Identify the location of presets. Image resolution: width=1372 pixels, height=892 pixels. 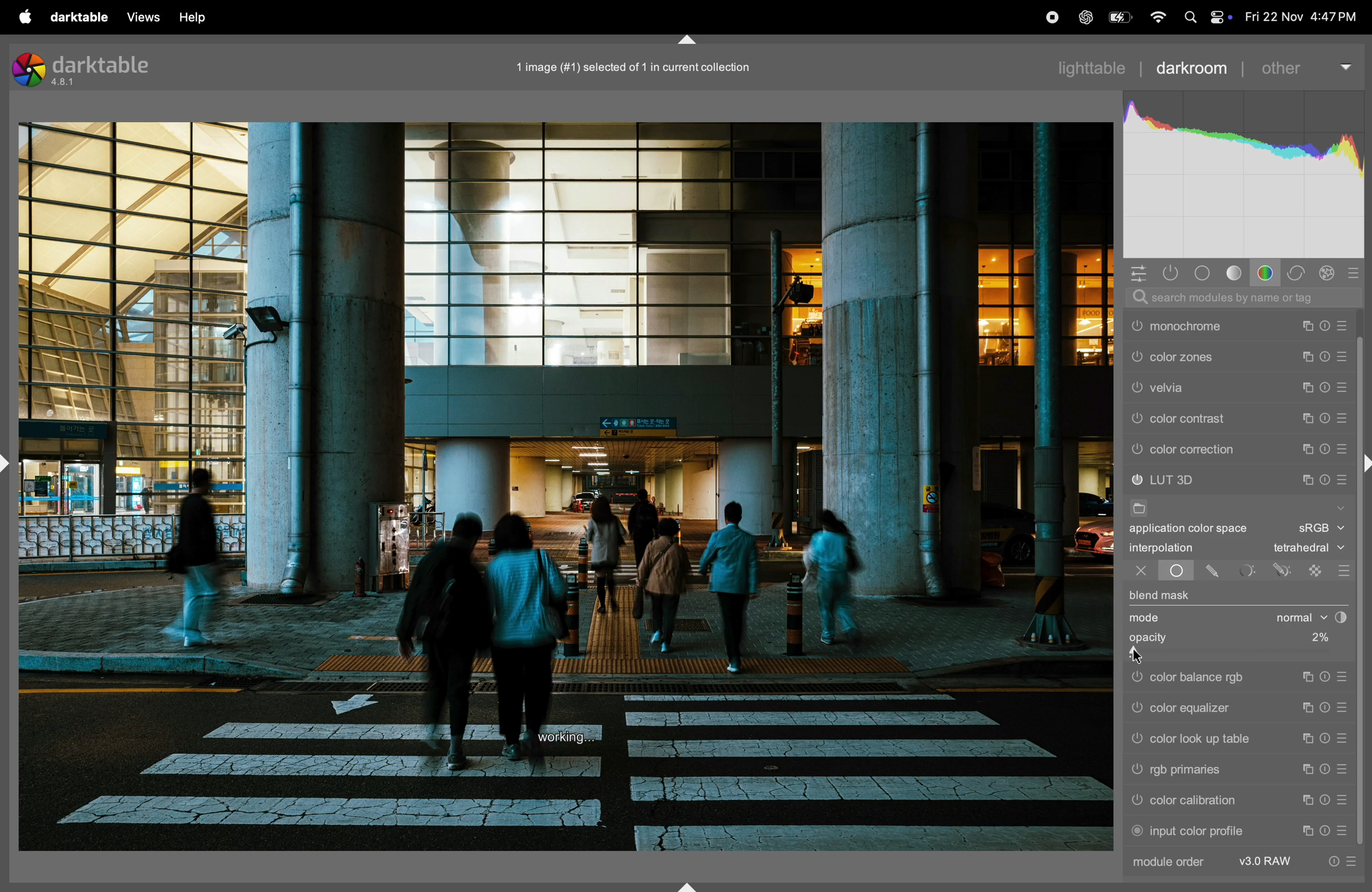
(1345, 710).